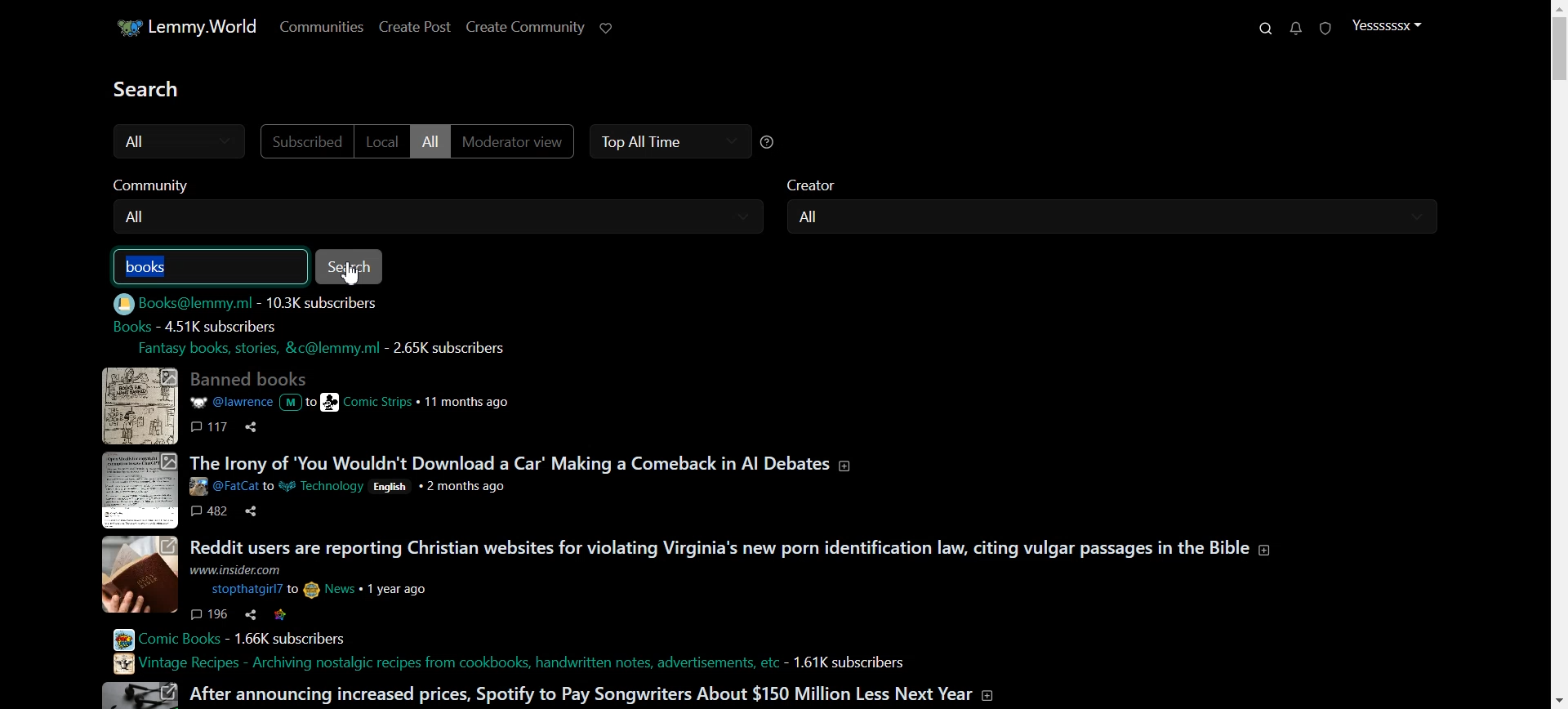 This screenshot has height=709, width=1568. Describe the element at coordinates (173, 303) in the screenshot. I see `link` at that location.